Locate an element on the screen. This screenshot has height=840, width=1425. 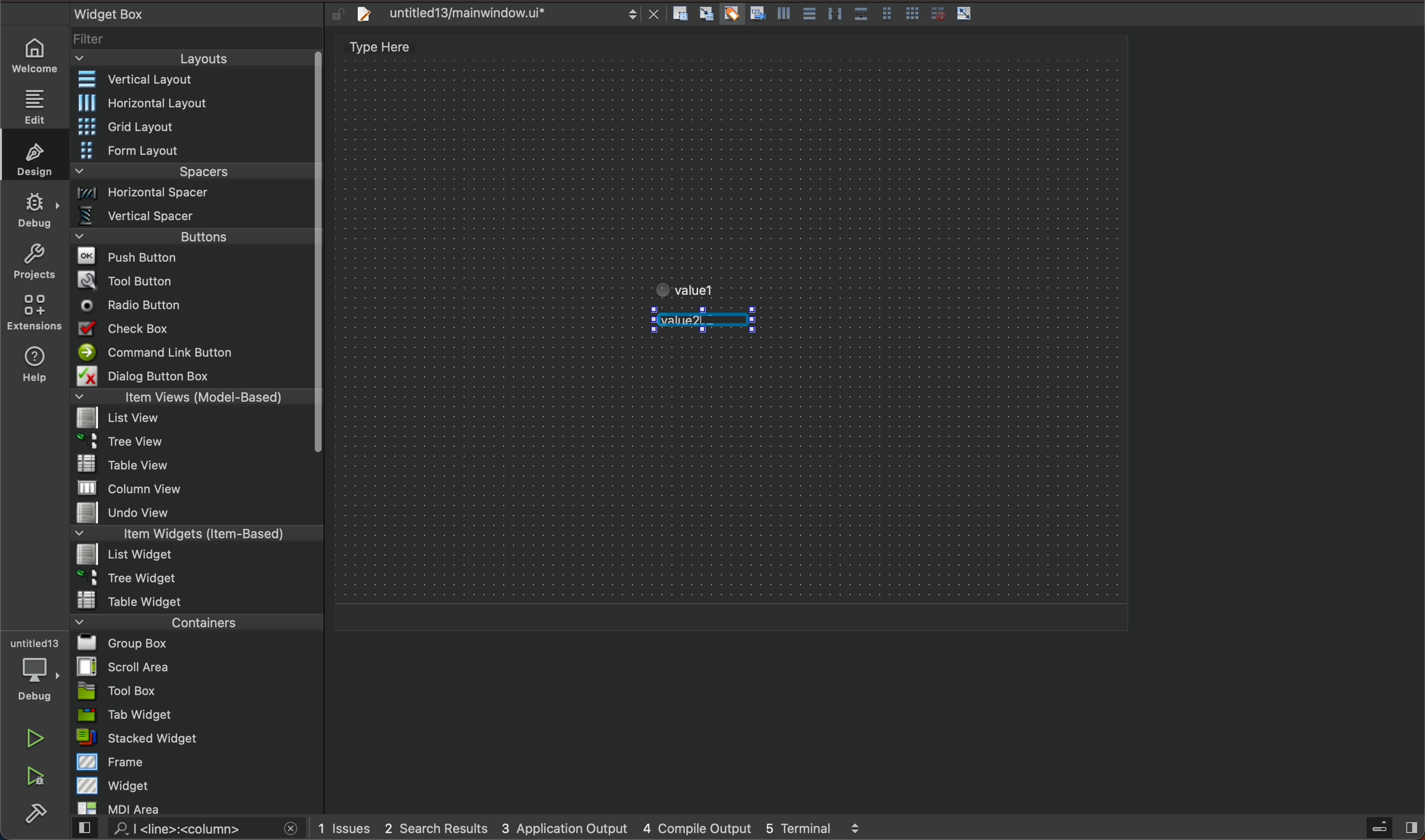
scroll area is located at coordinates (197, 666).